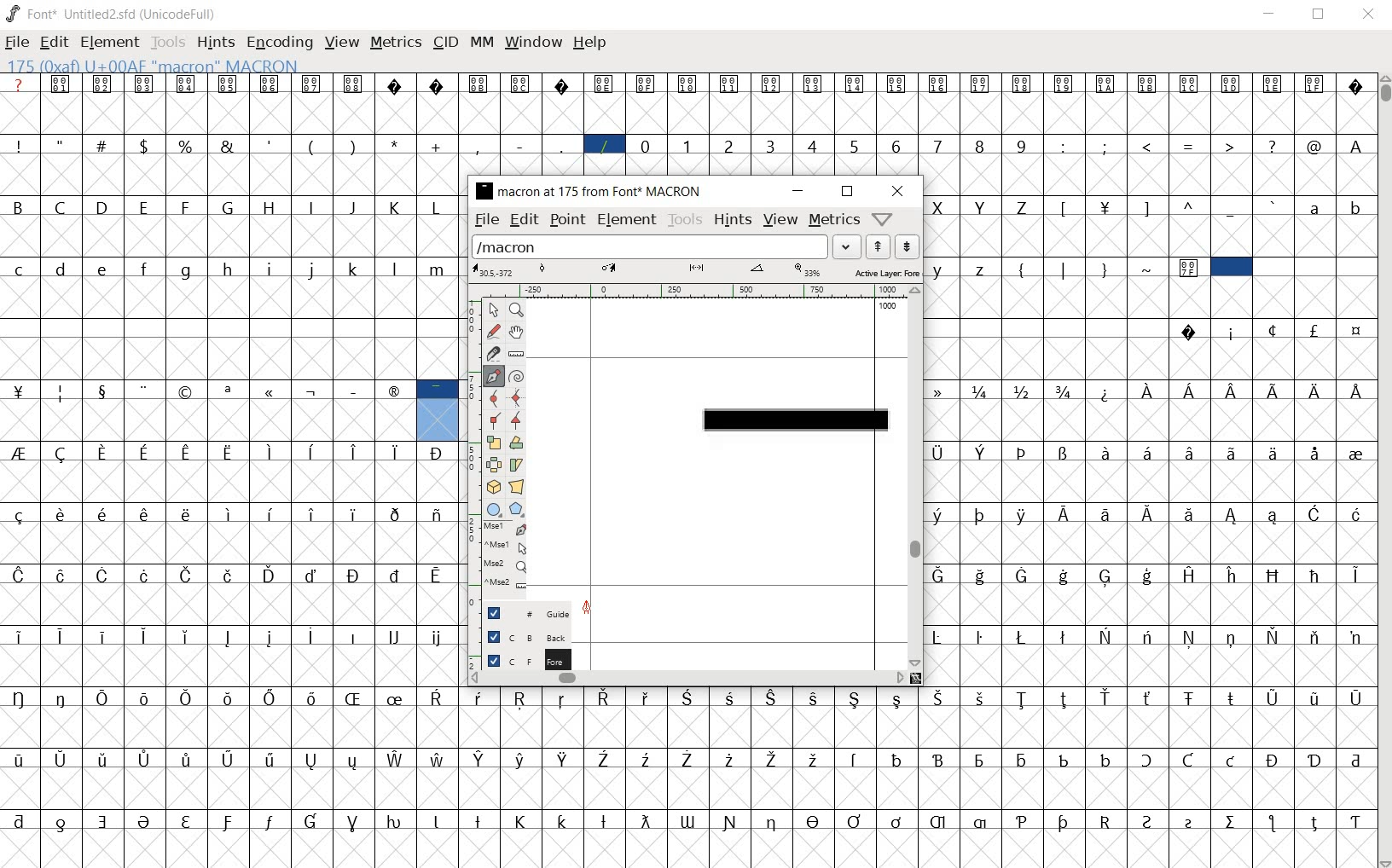 The height and width of the screenshot is (868, 1392). What do you see at coordinates (1354, 756) in the screenshot?
I see `Symbol` at bounding box center [1354, 756].